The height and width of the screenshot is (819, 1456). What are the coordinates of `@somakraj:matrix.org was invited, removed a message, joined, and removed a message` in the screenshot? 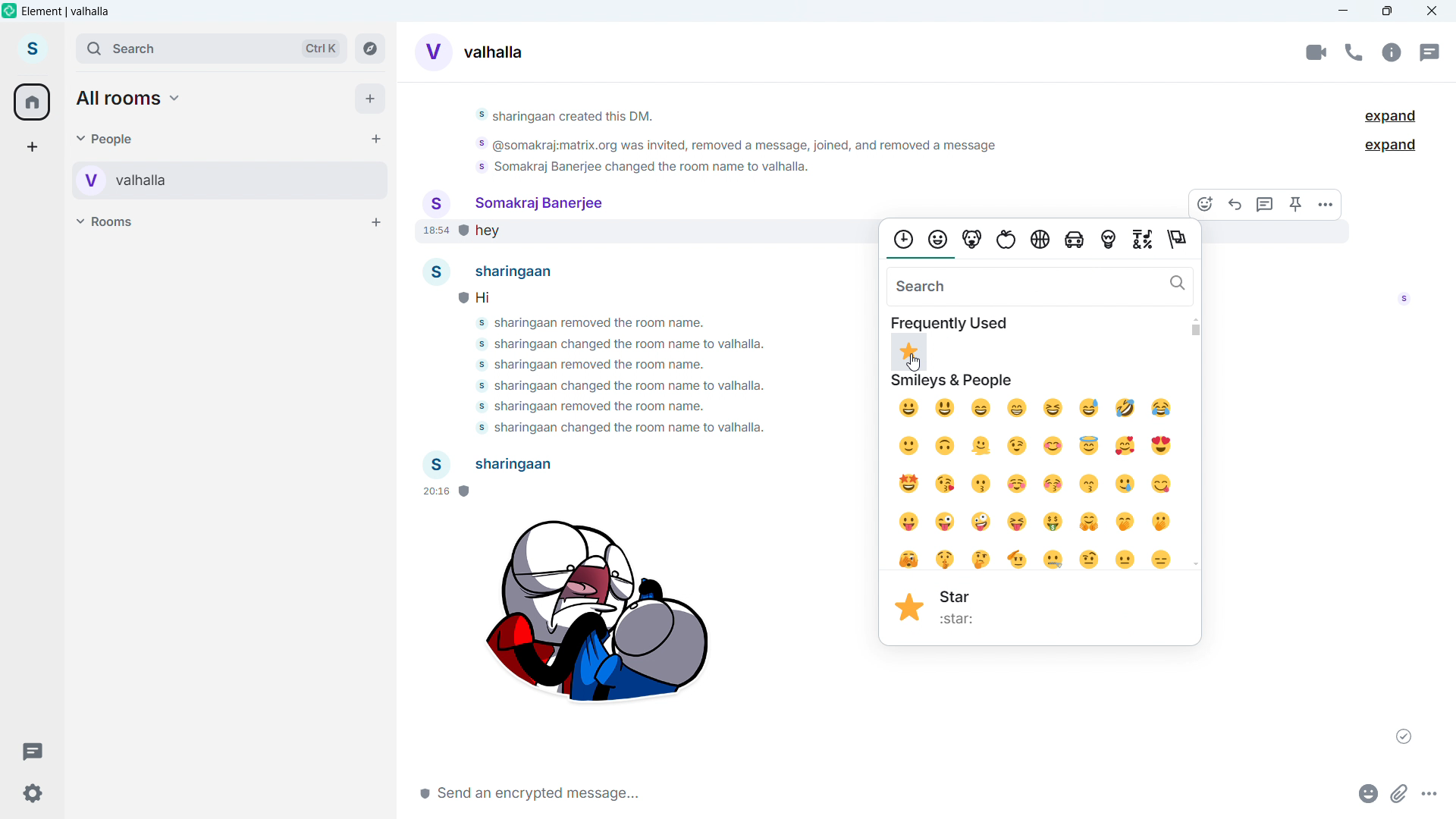 It's located at (736, 147).